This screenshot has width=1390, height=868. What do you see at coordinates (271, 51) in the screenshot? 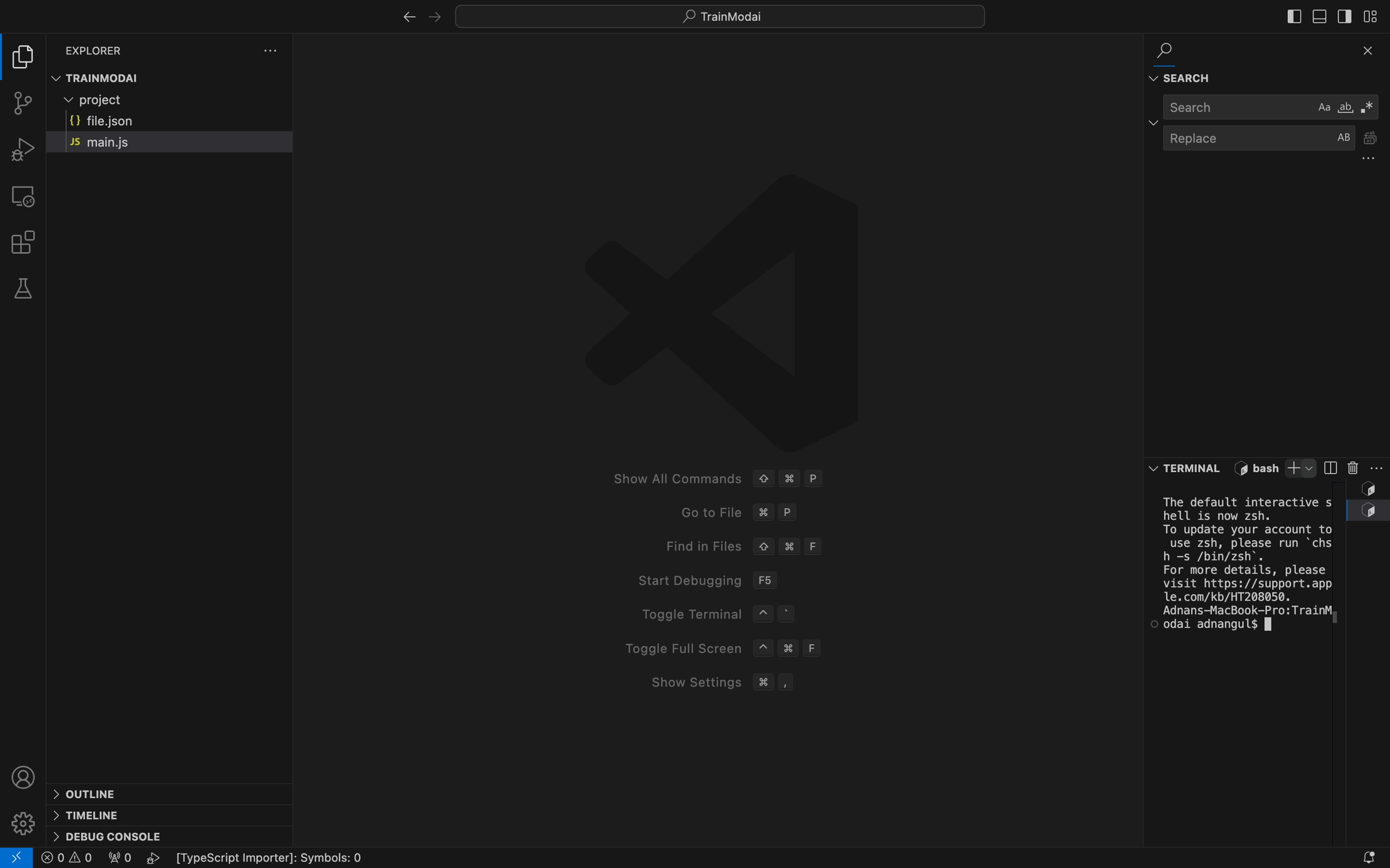
I see `settingd` at bounding box center [271, 51].